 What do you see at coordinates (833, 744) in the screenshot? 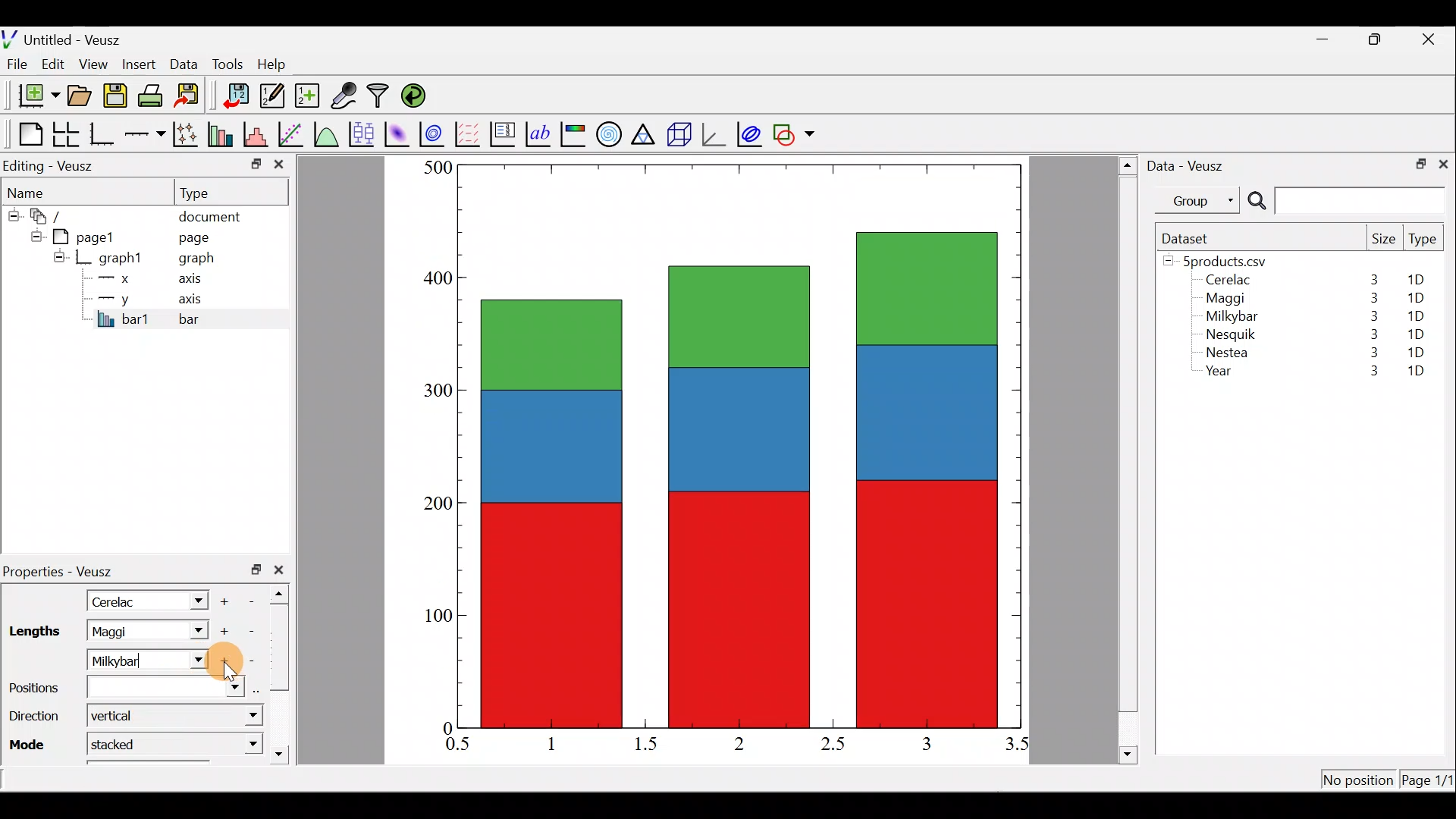
I see `2.5` at bounding box center [833, 744].